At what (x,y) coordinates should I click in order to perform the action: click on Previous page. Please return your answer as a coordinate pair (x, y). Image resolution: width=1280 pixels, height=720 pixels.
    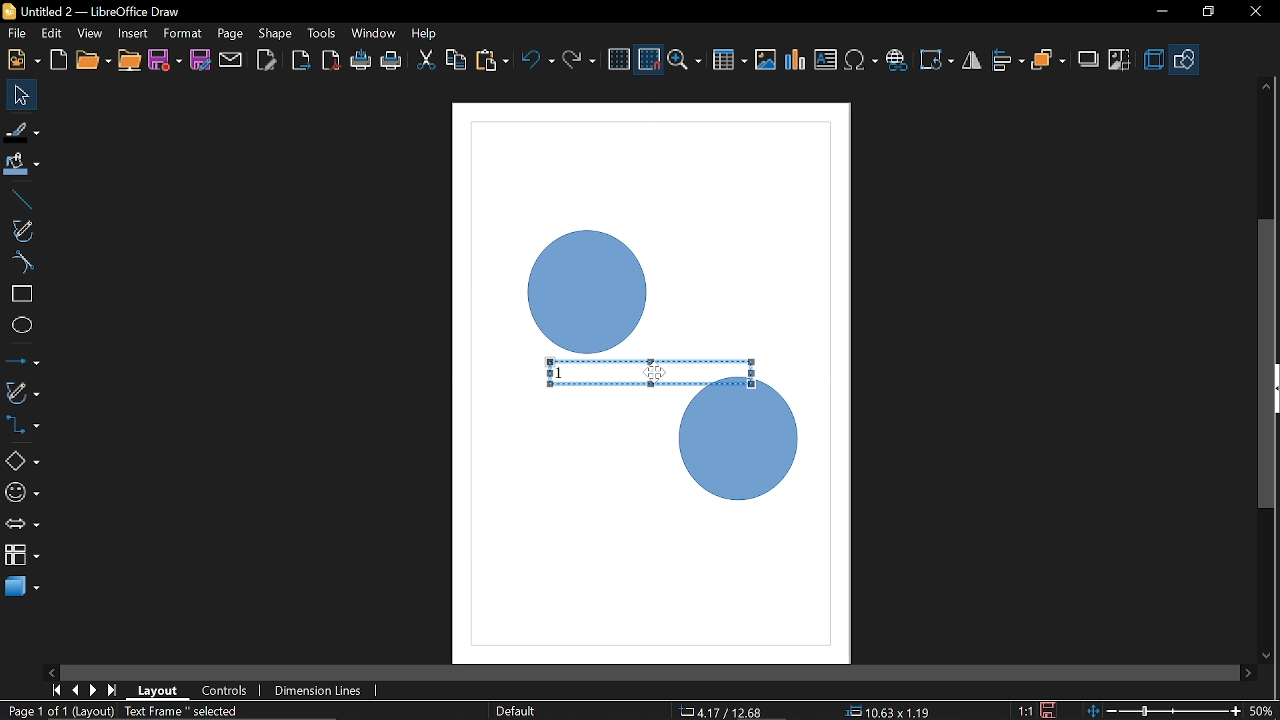
    Looking at the image, I should click on (77, 690).